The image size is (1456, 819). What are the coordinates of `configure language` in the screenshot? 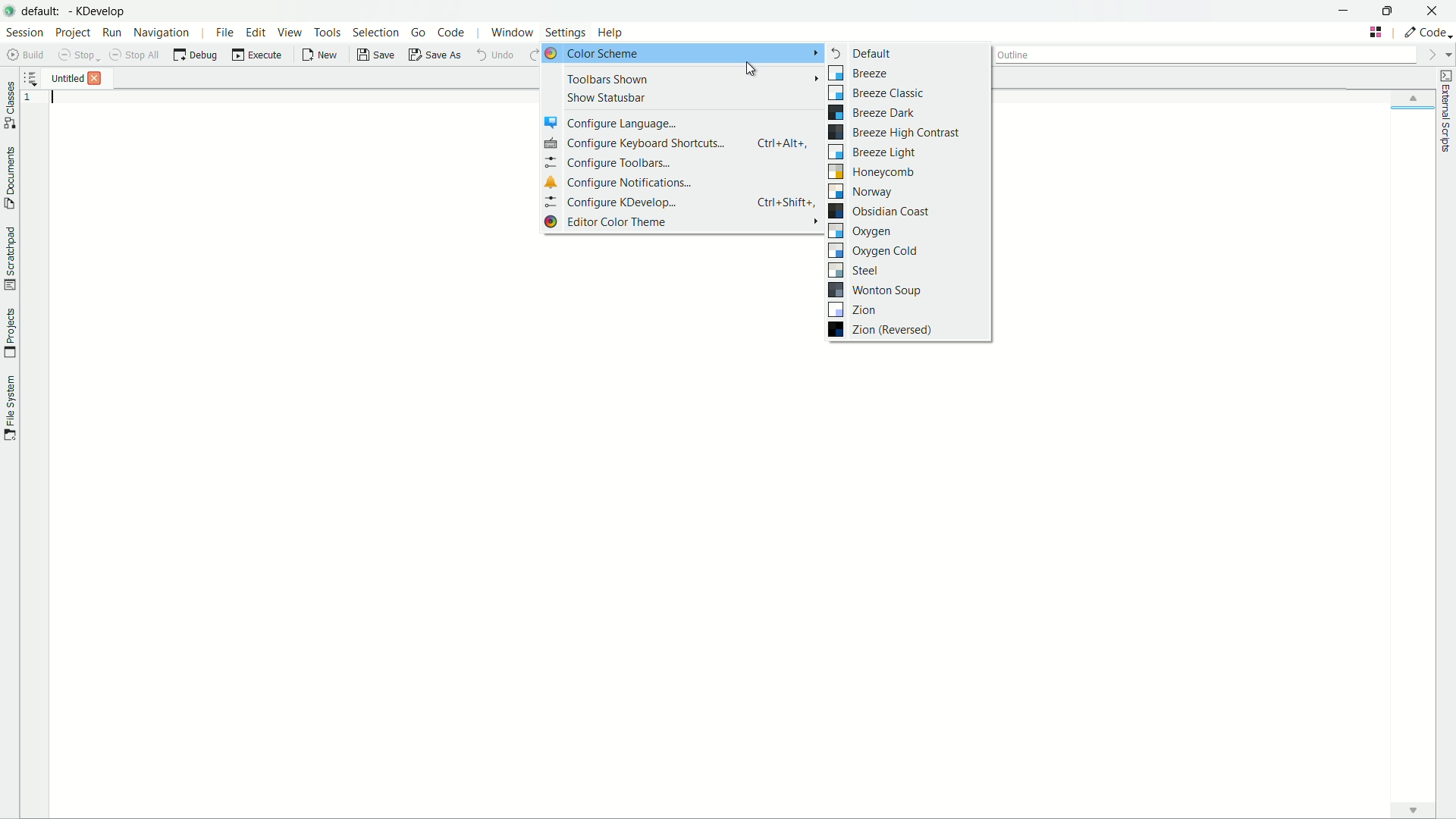 It's located at (614, 122).